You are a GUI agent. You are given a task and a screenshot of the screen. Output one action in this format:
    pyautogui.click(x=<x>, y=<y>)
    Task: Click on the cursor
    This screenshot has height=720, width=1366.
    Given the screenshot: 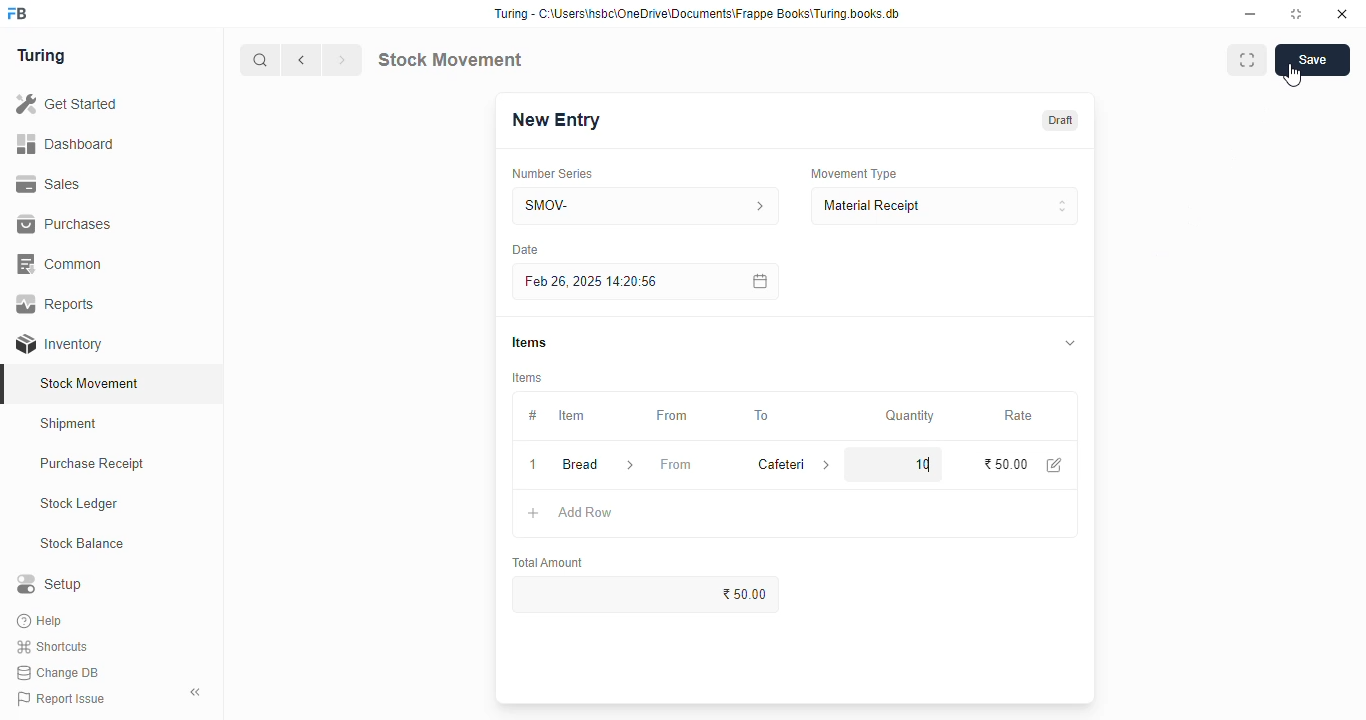 What is the action you would take?
    pyautogui.click(x=1292, y=75)
    